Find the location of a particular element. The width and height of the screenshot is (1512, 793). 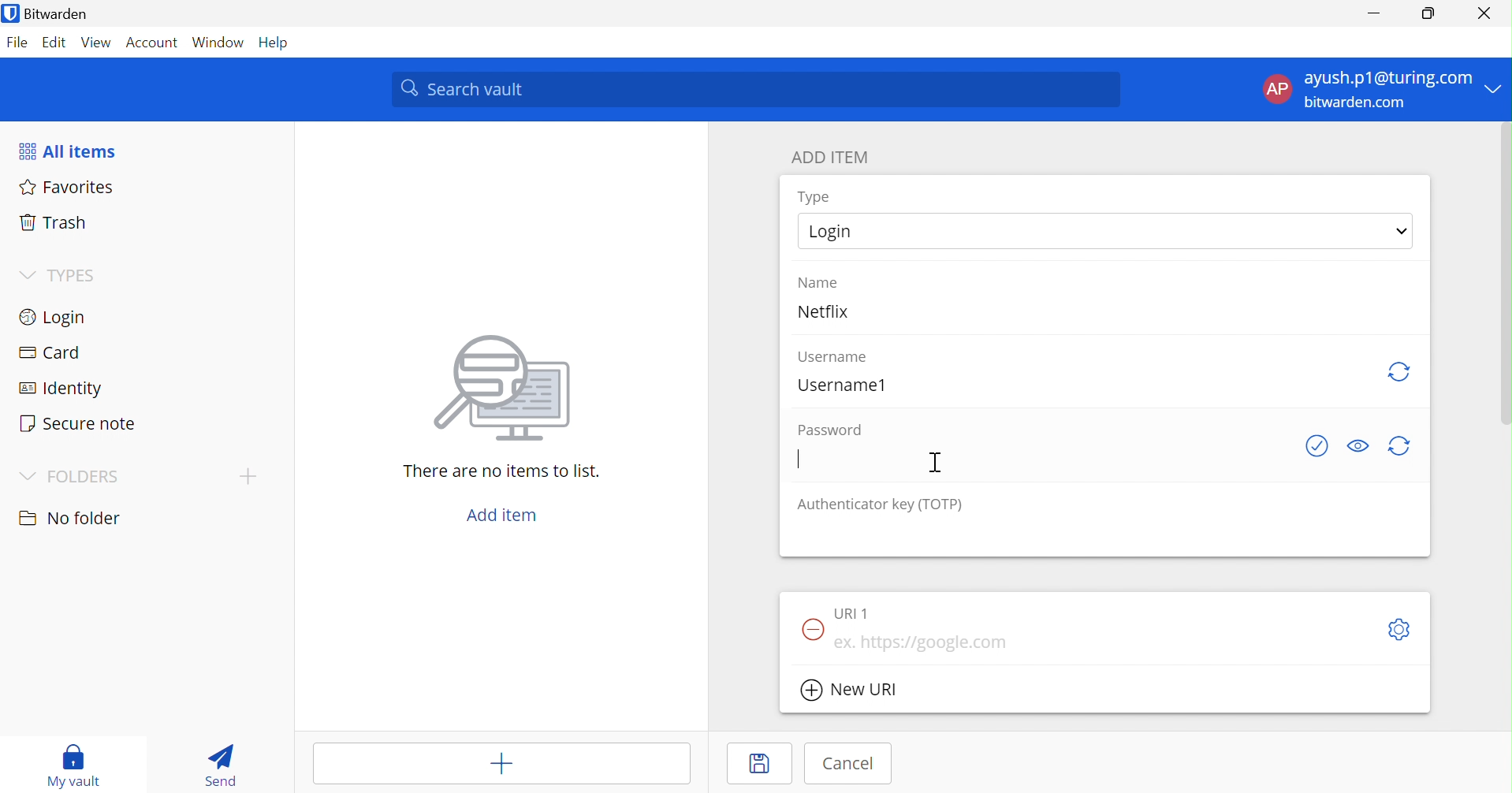

Secure note is located at coordinates (80, 422).